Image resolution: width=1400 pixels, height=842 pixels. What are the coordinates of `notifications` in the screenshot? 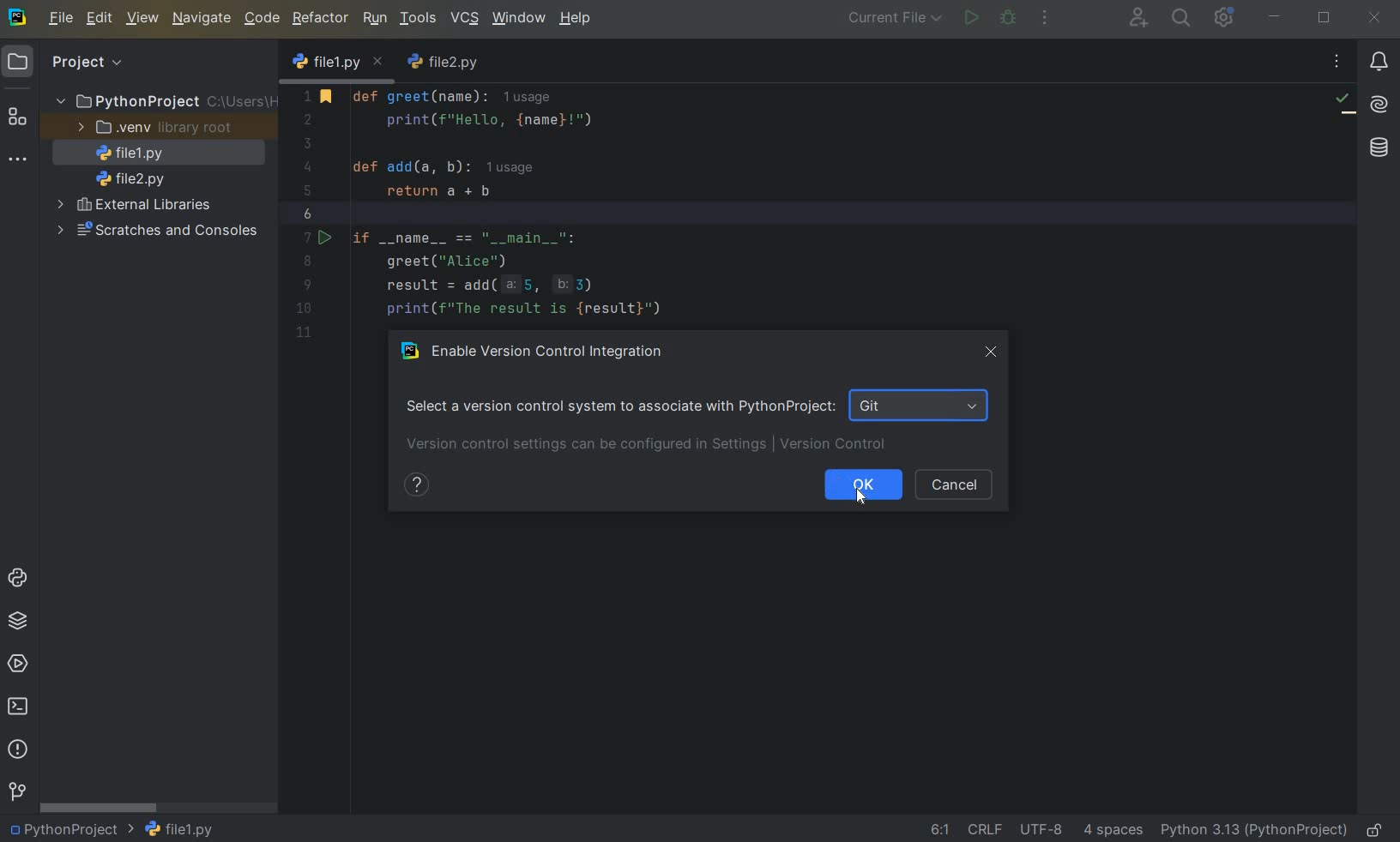 It's located at (1380, 62).